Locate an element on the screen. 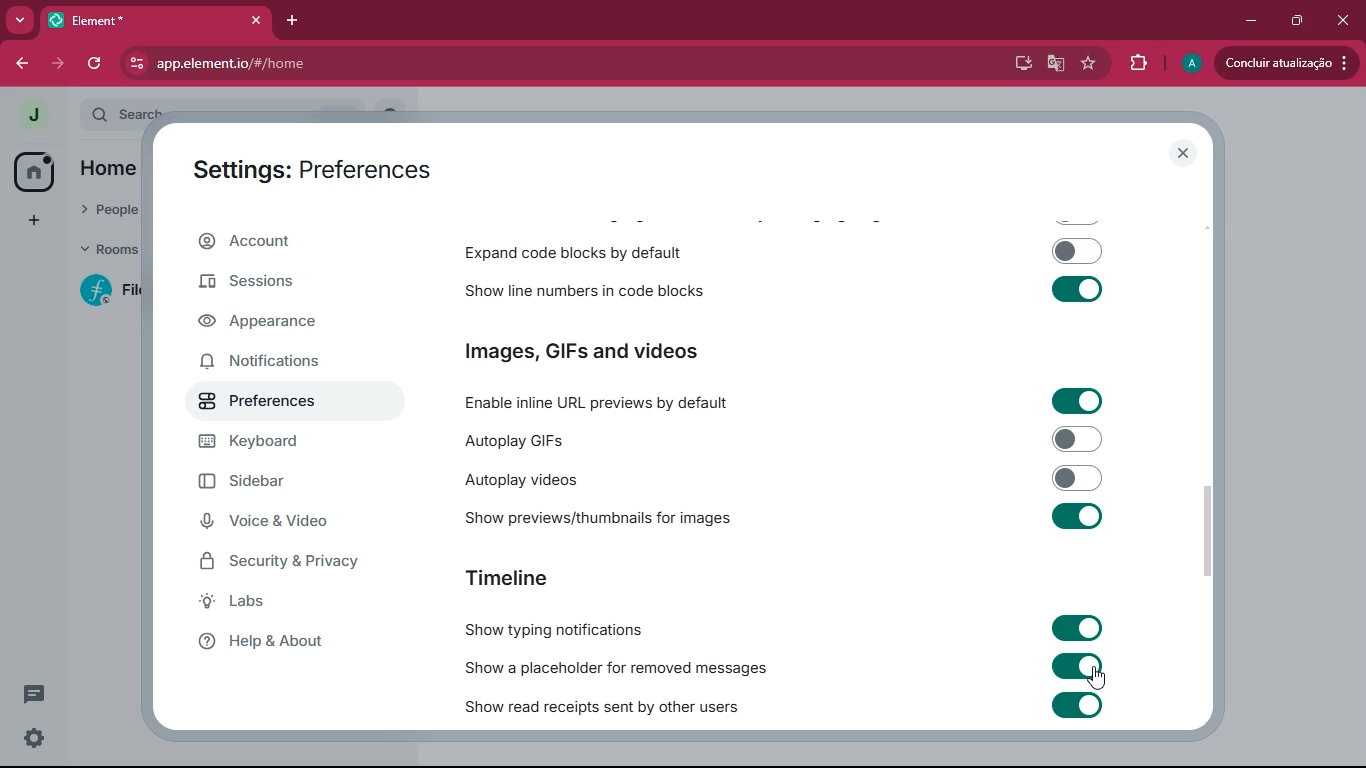  labs is located at coordinates (297, 602).